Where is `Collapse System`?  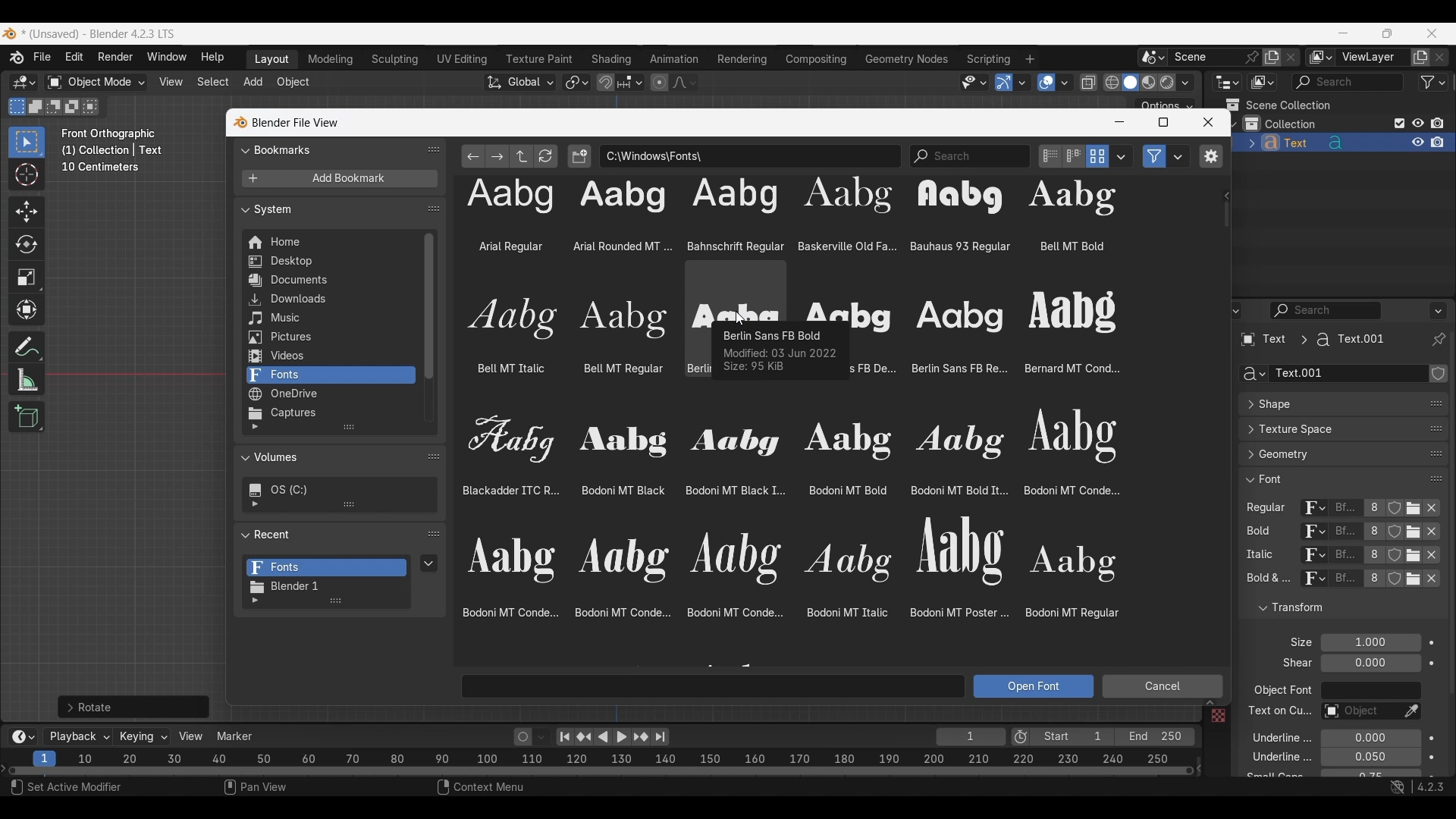
Collapse System is located at coordinates (329, 209).